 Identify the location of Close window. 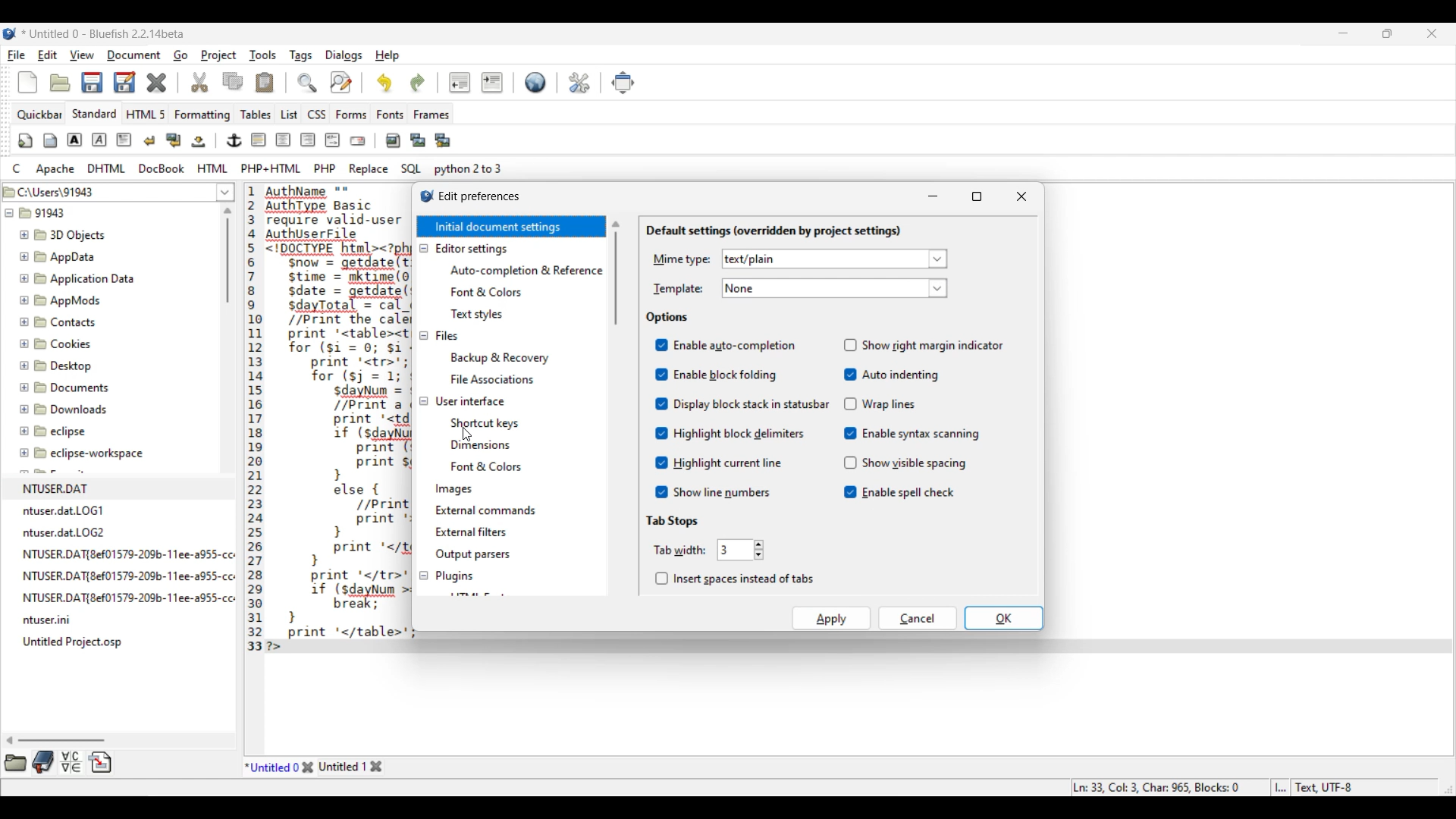
(1022, 196).